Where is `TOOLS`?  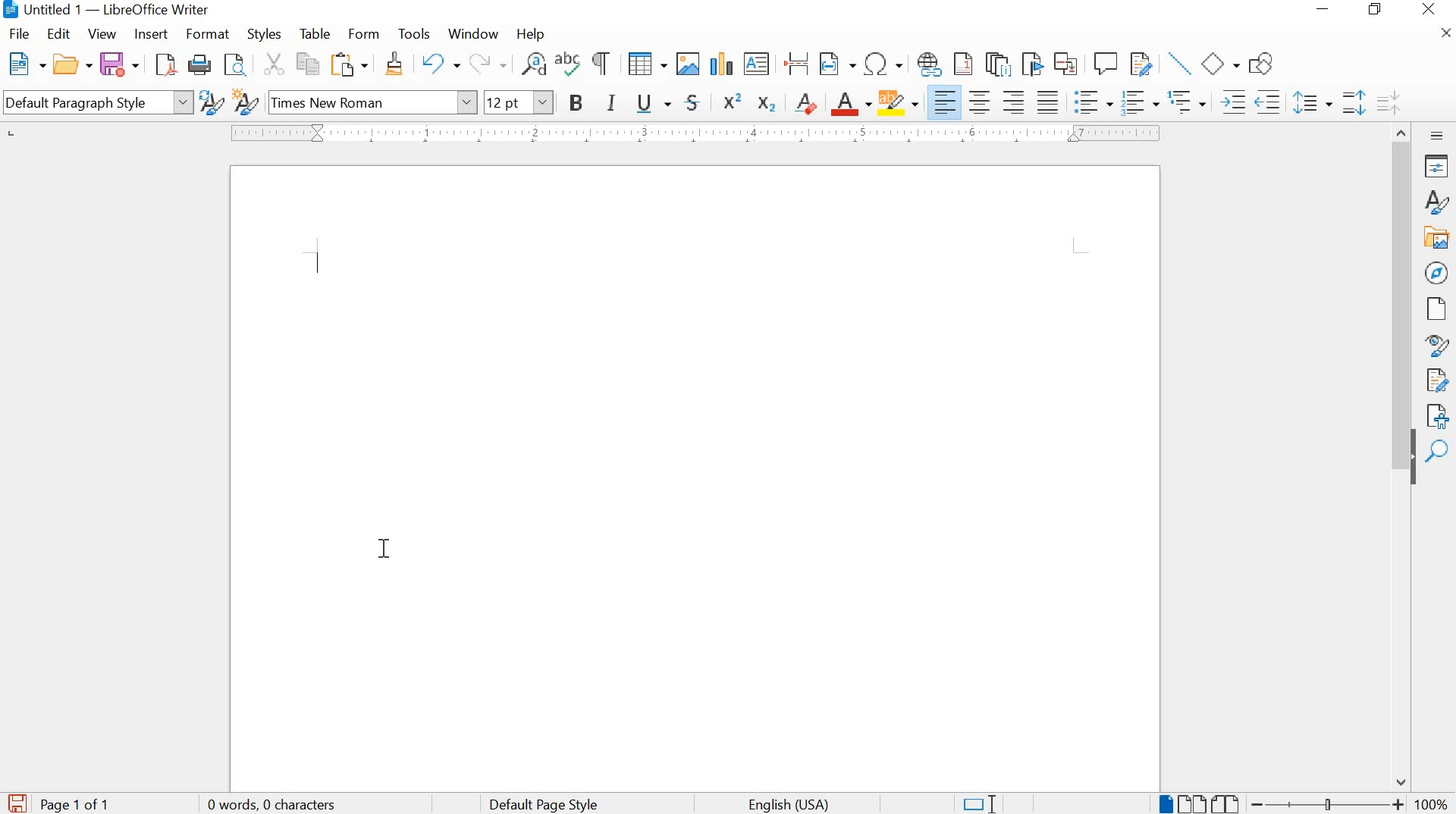 TOOLS is located at coordinates (413, 35).